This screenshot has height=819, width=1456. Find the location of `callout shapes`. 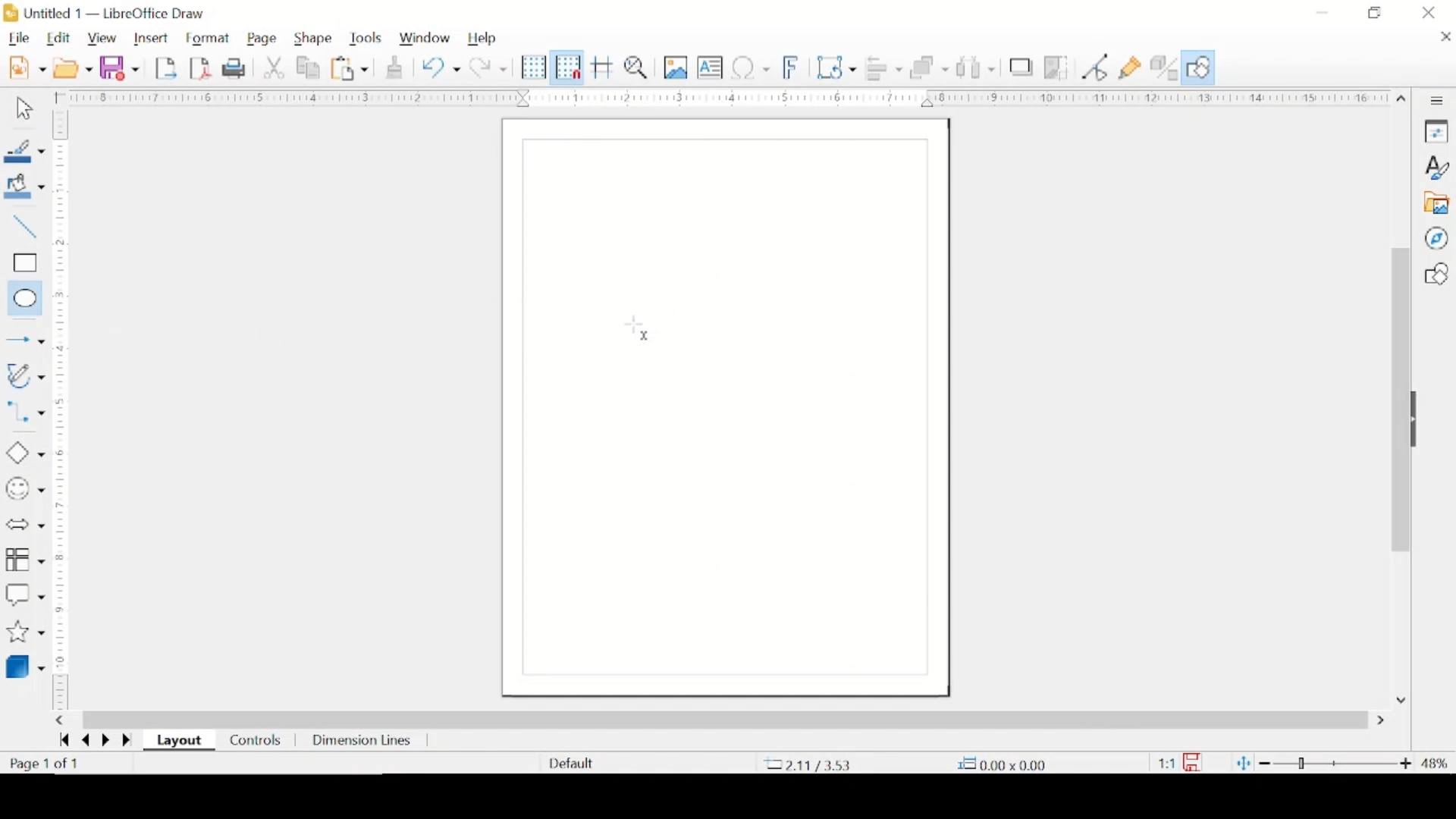

callout shapes is located at coordinates (25, 593).